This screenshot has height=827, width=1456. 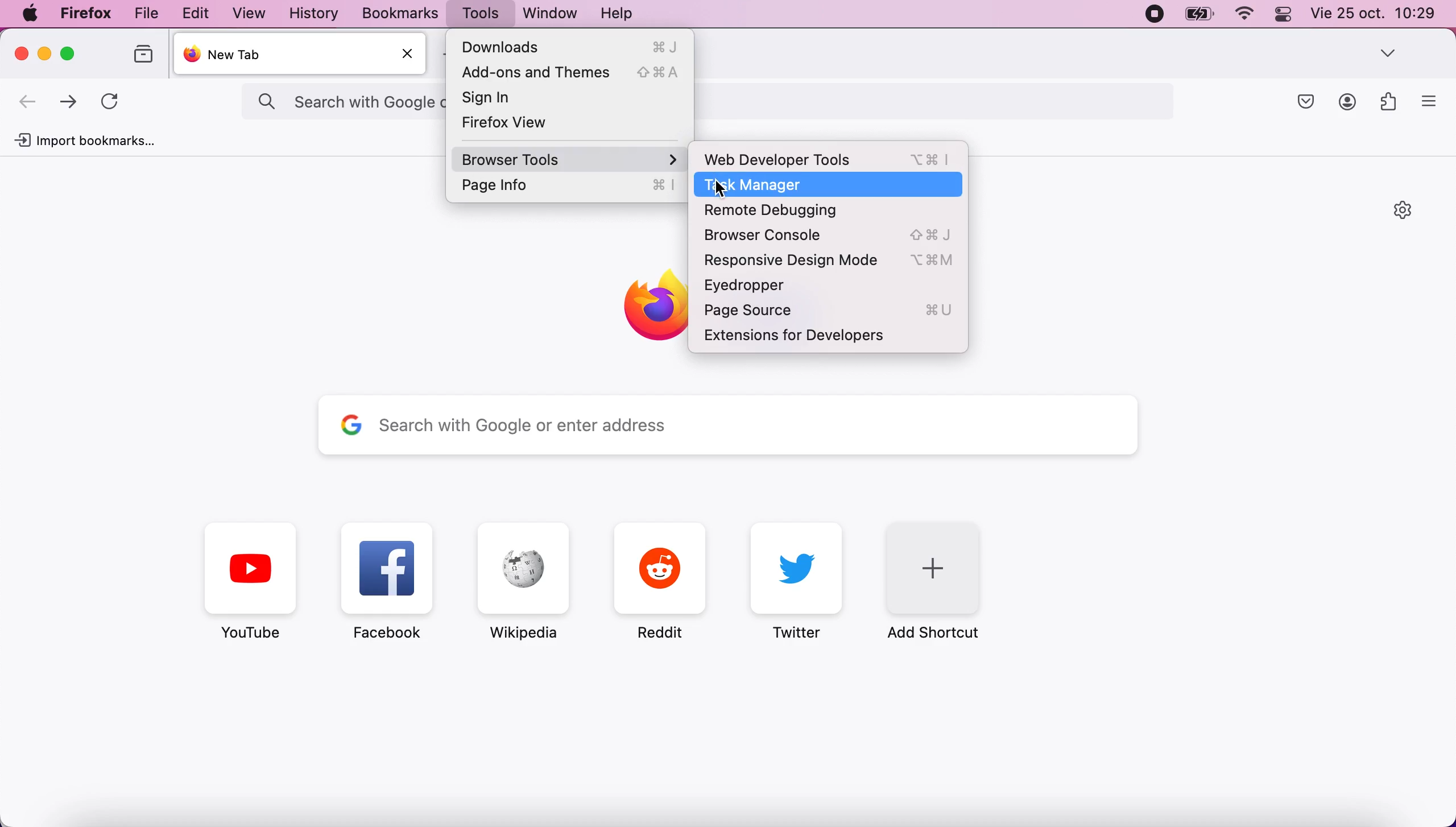 What do you see at coordinates (570, 72) in the screenshot?
I see `Add-ons and Themes` at bounding box center [570, 72].